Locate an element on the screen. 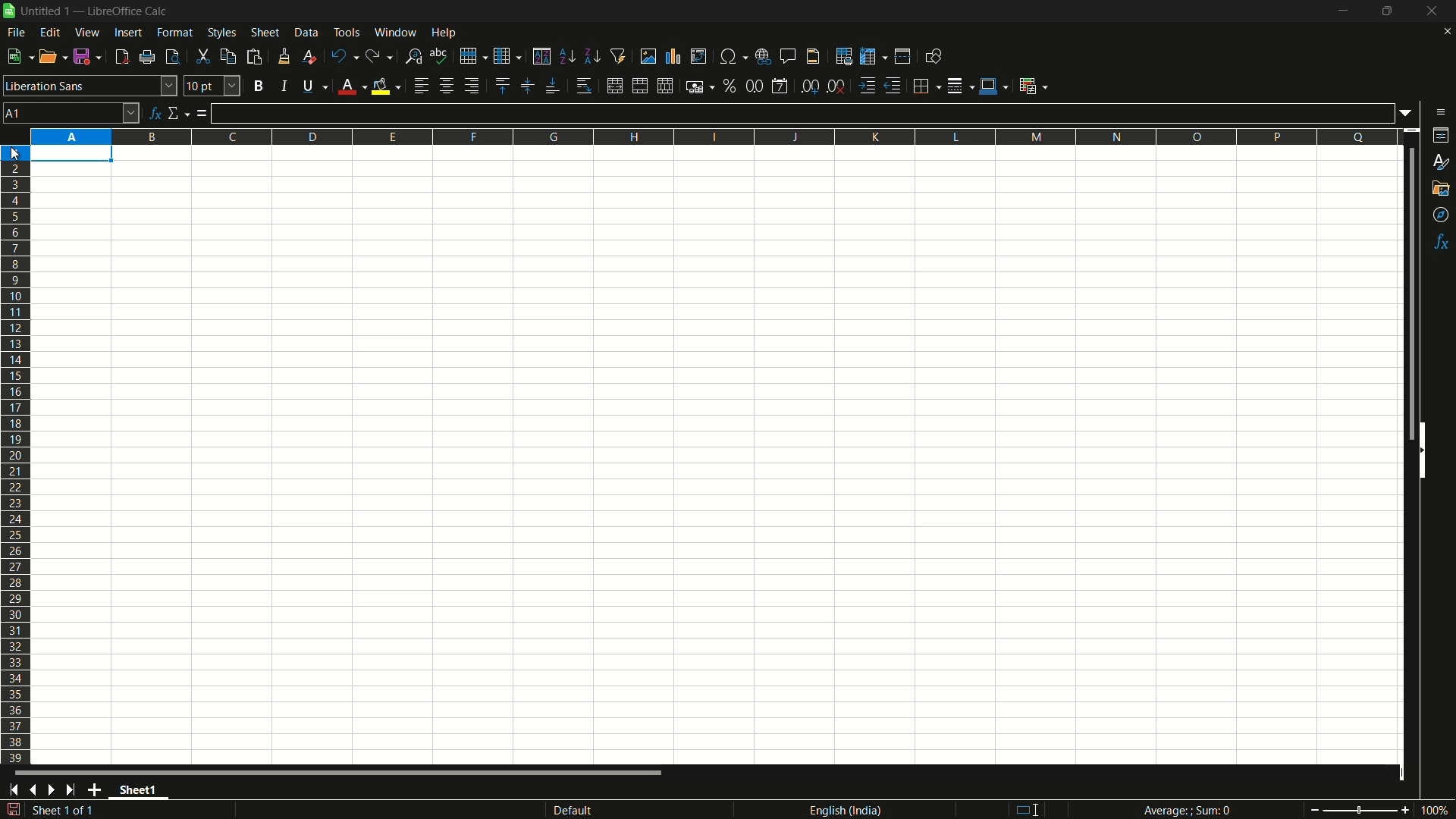  maximize or restore is located at coordinates (1387, 11).